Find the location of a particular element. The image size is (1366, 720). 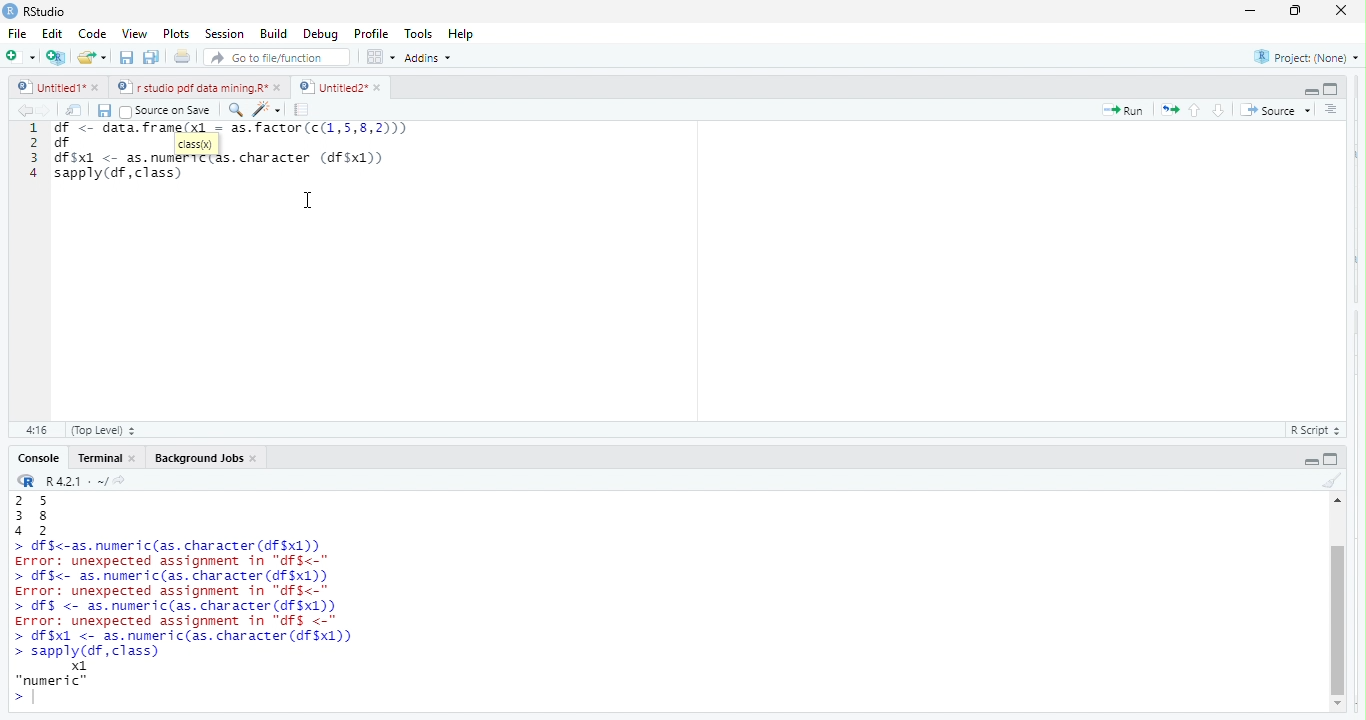

 Addins is located at coordinates (432, 58).